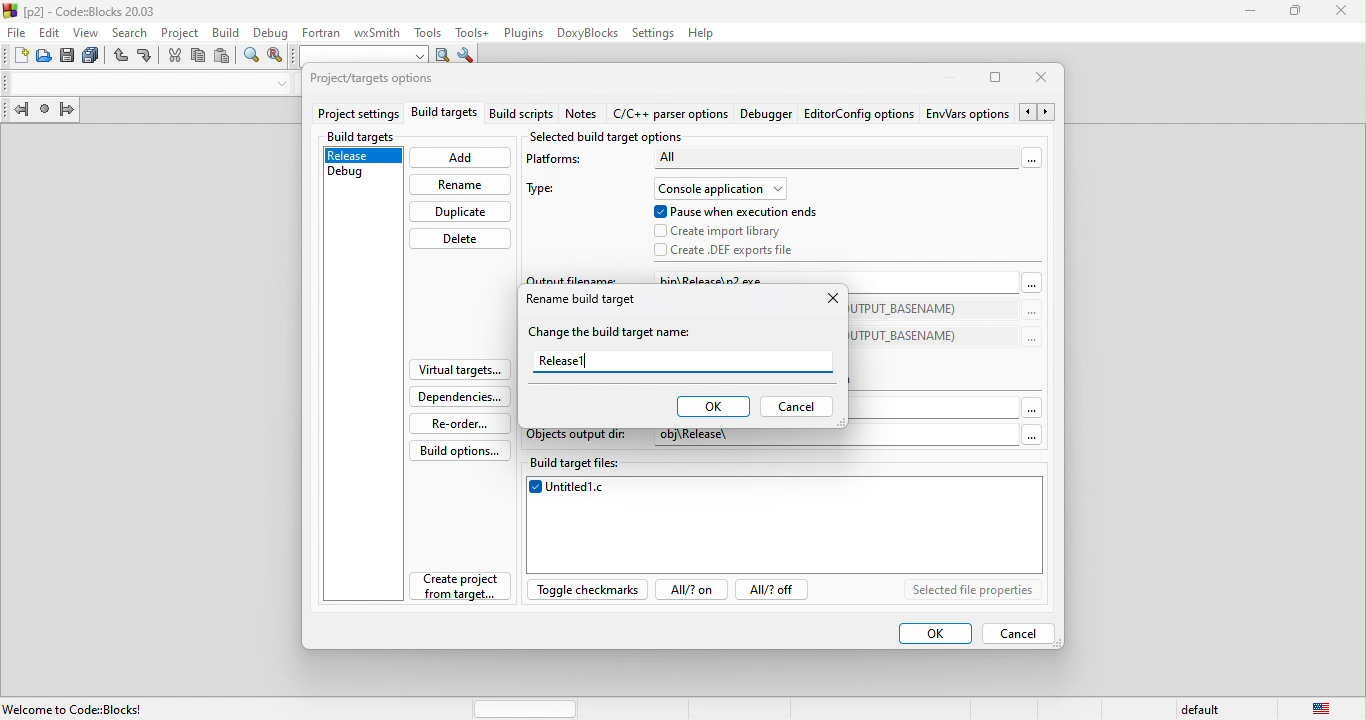 This screenshot has width=1366, height=720. Describe the element at coordinates (67, 111) in the screenshot. I see `jump forward ` at that location.